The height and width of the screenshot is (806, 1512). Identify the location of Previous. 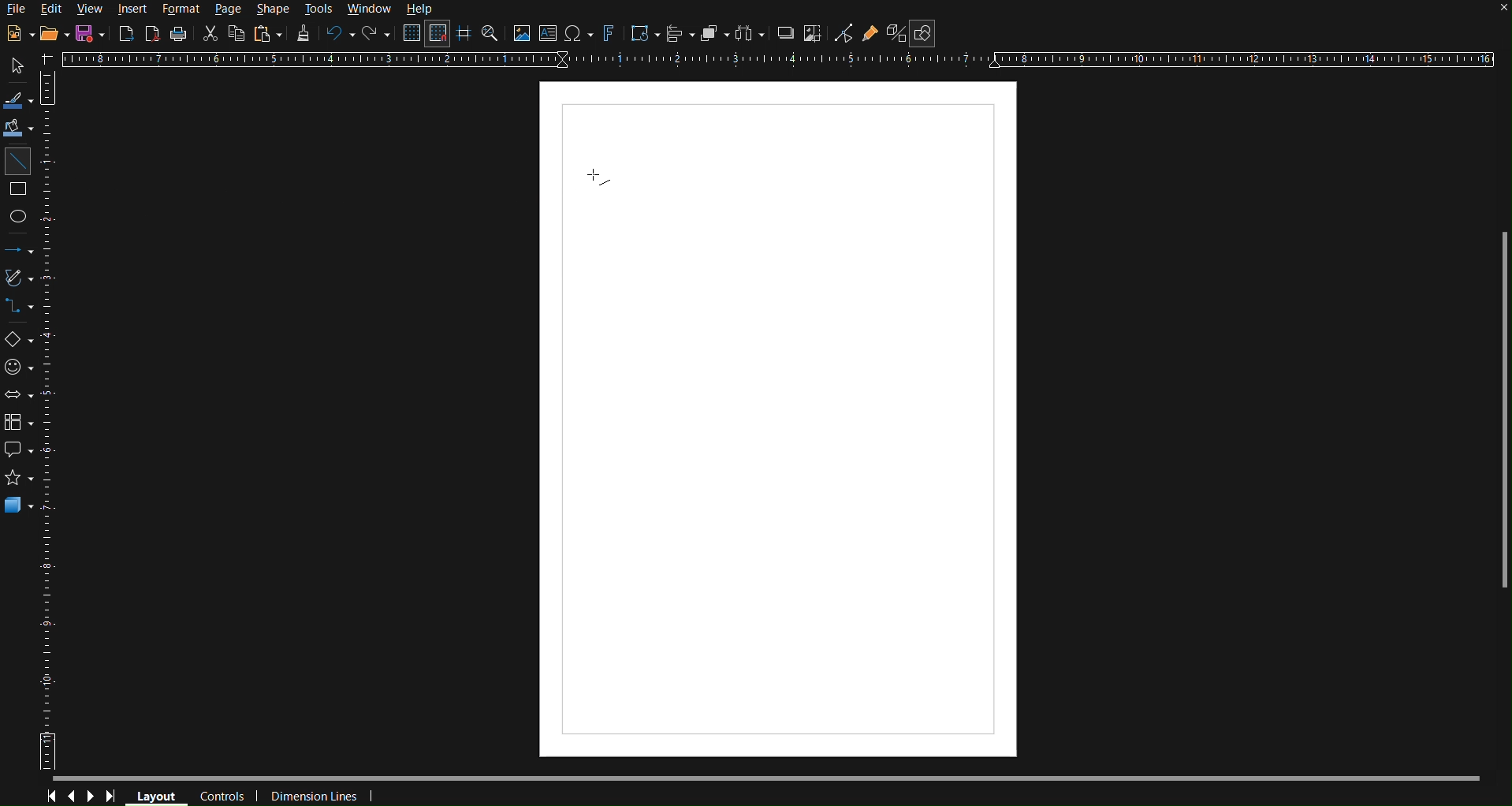
(70, 795).